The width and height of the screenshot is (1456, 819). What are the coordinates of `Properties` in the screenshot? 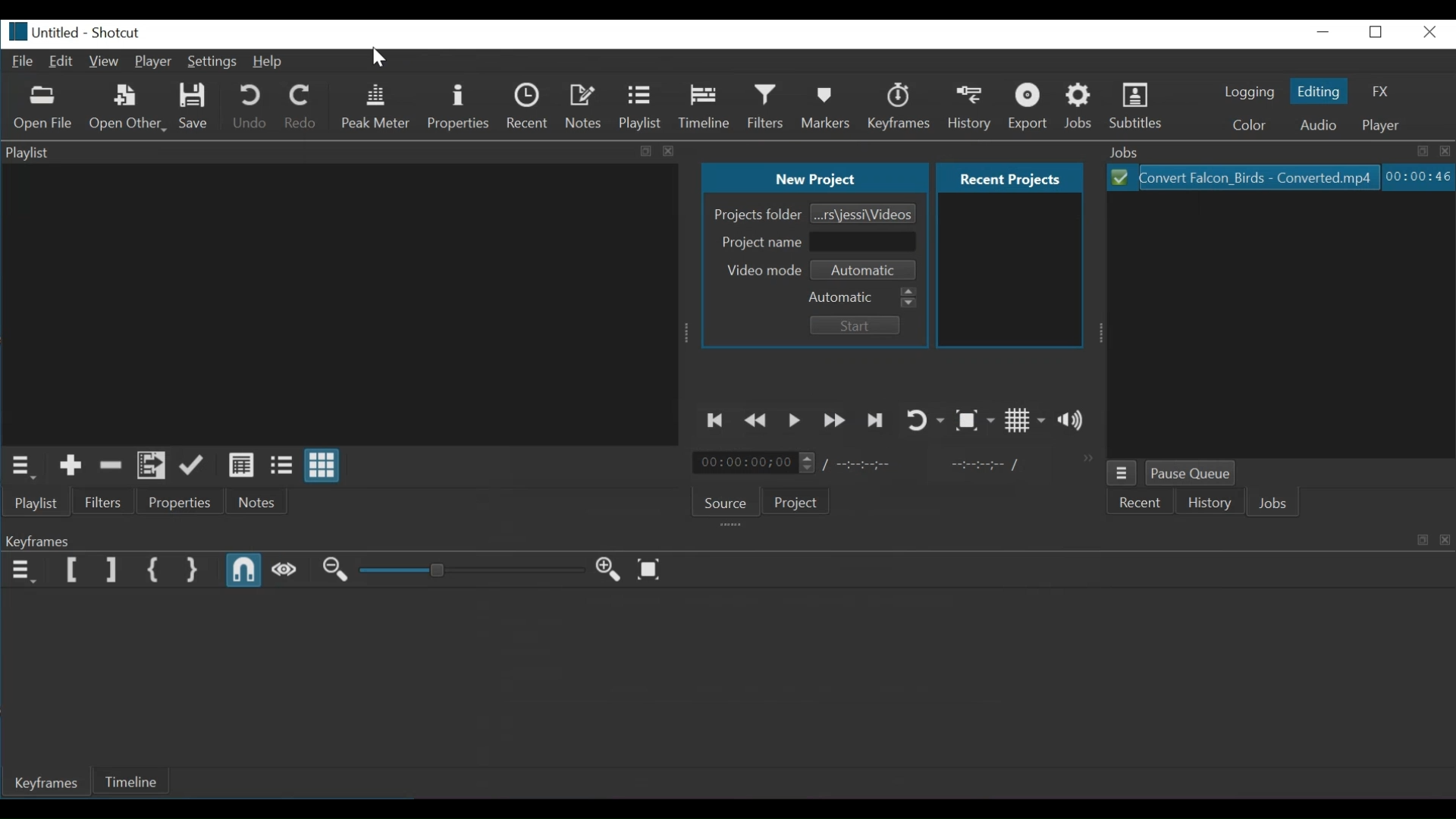 It's located at (179, 502).